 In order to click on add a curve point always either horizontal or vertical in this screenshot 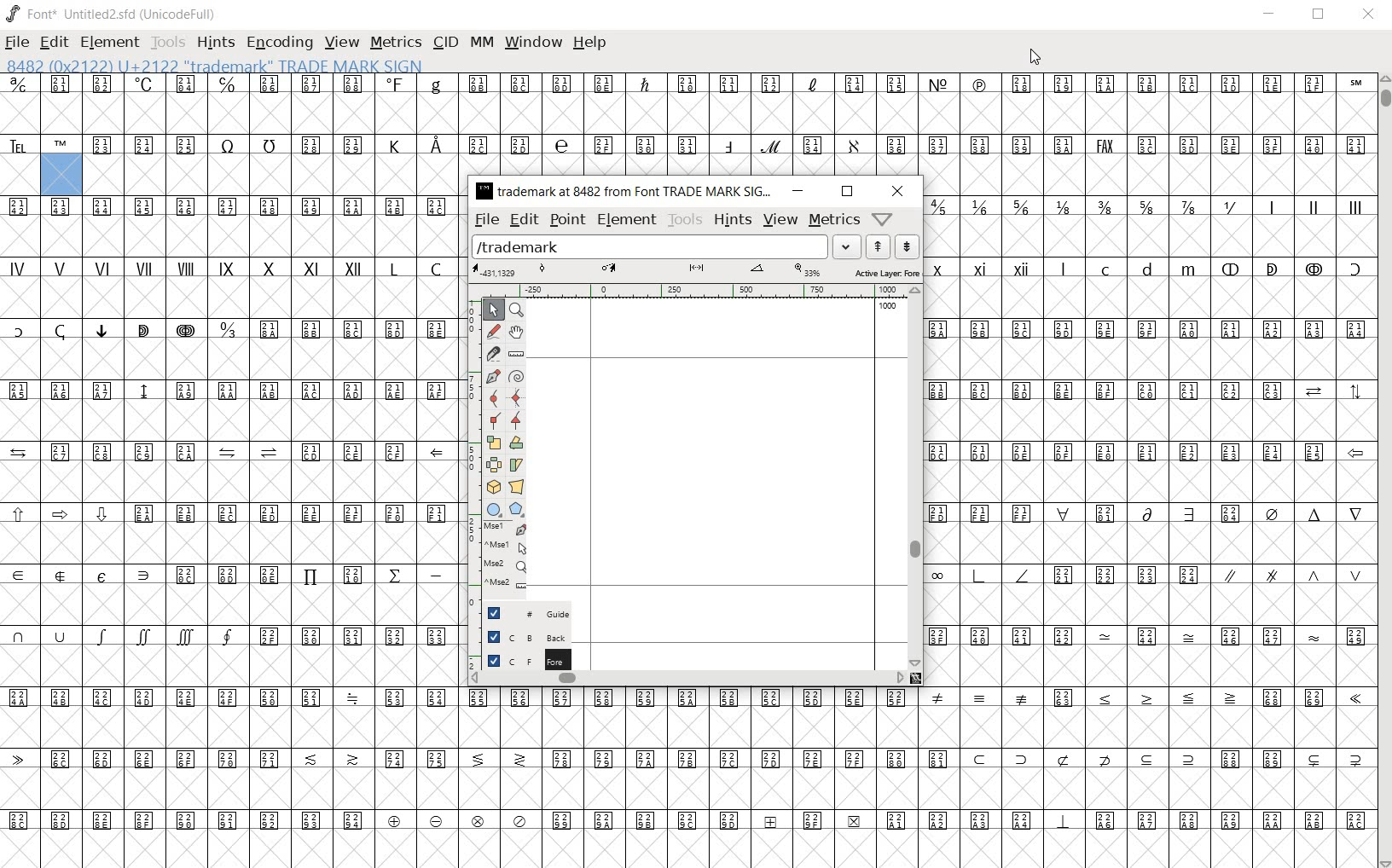, I will do `click(518, 397)`.